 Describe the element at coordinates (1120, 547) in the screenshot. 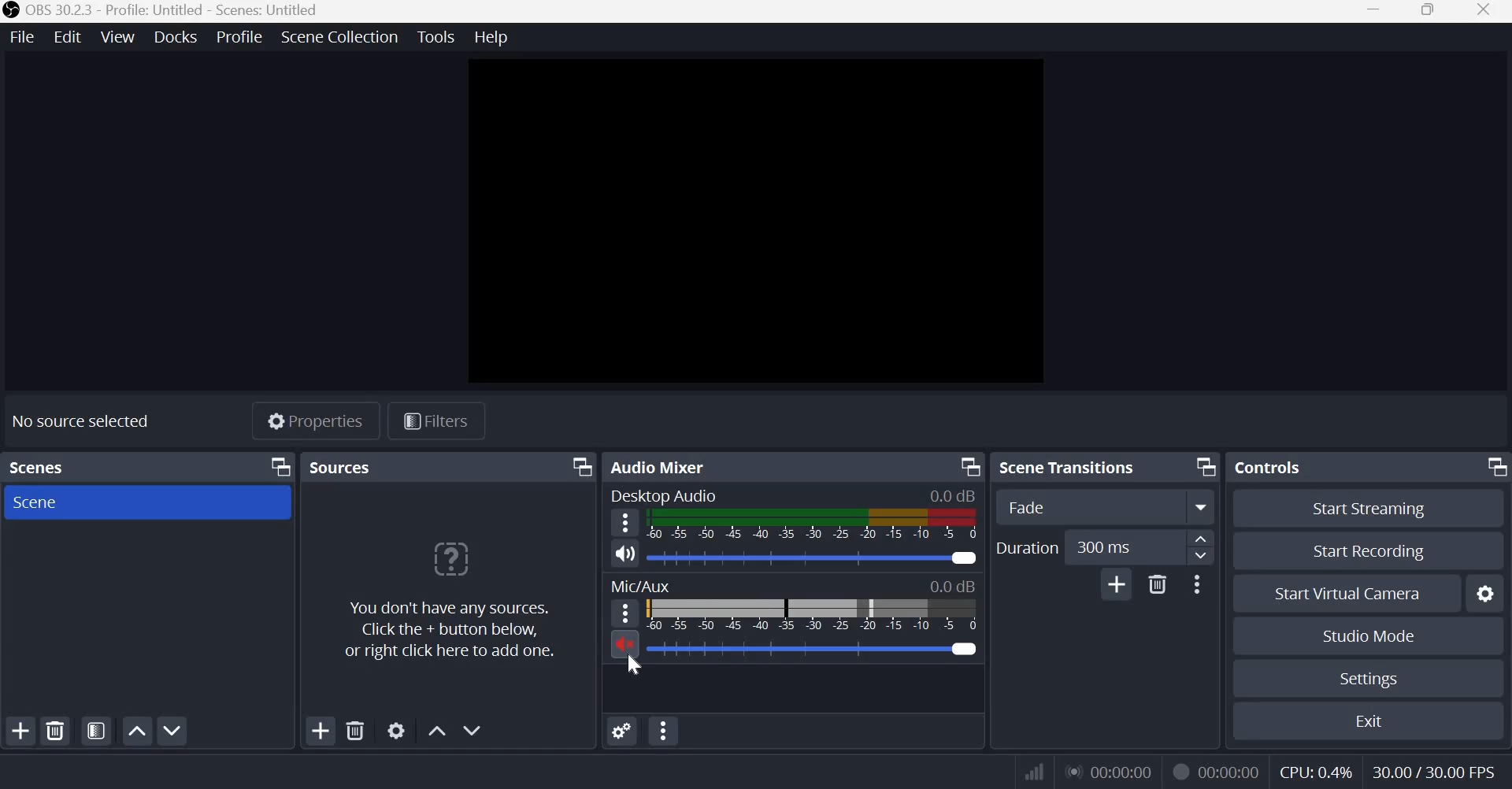

I see `300 ms` at that location.